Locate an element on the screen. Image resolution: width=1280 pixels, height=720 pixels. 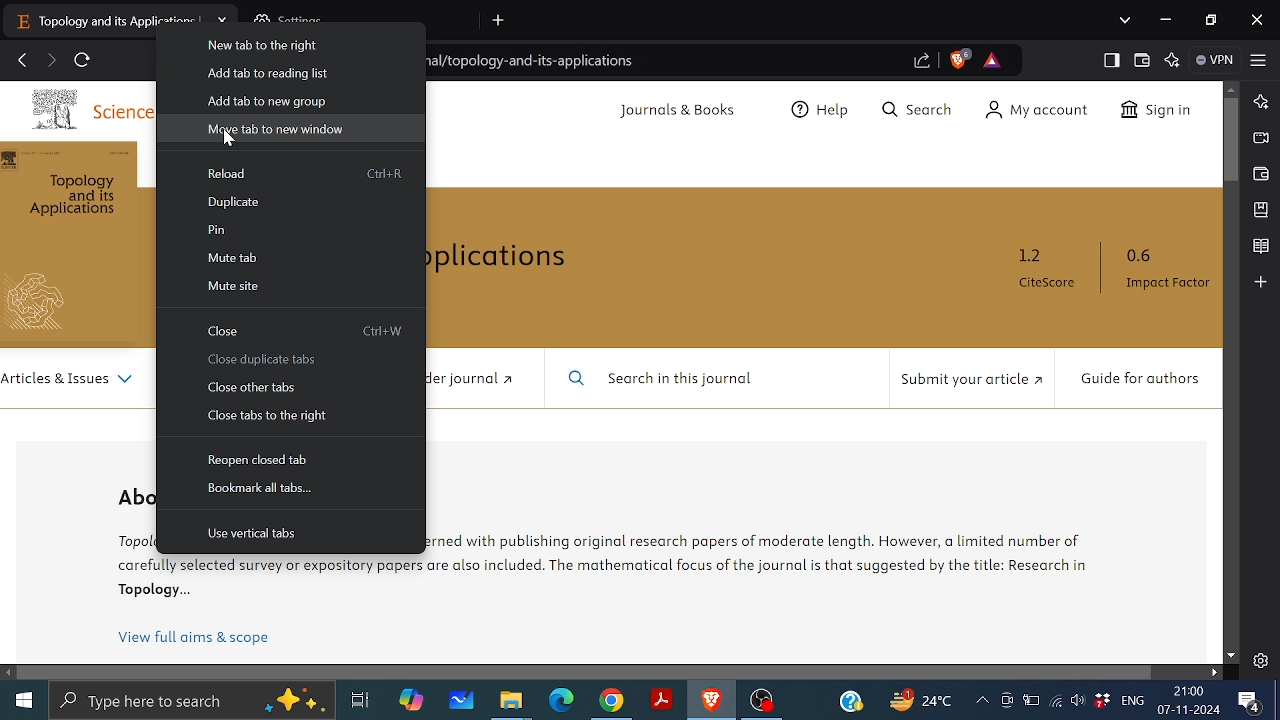
Reading list is located at coordinates (1260, 247).